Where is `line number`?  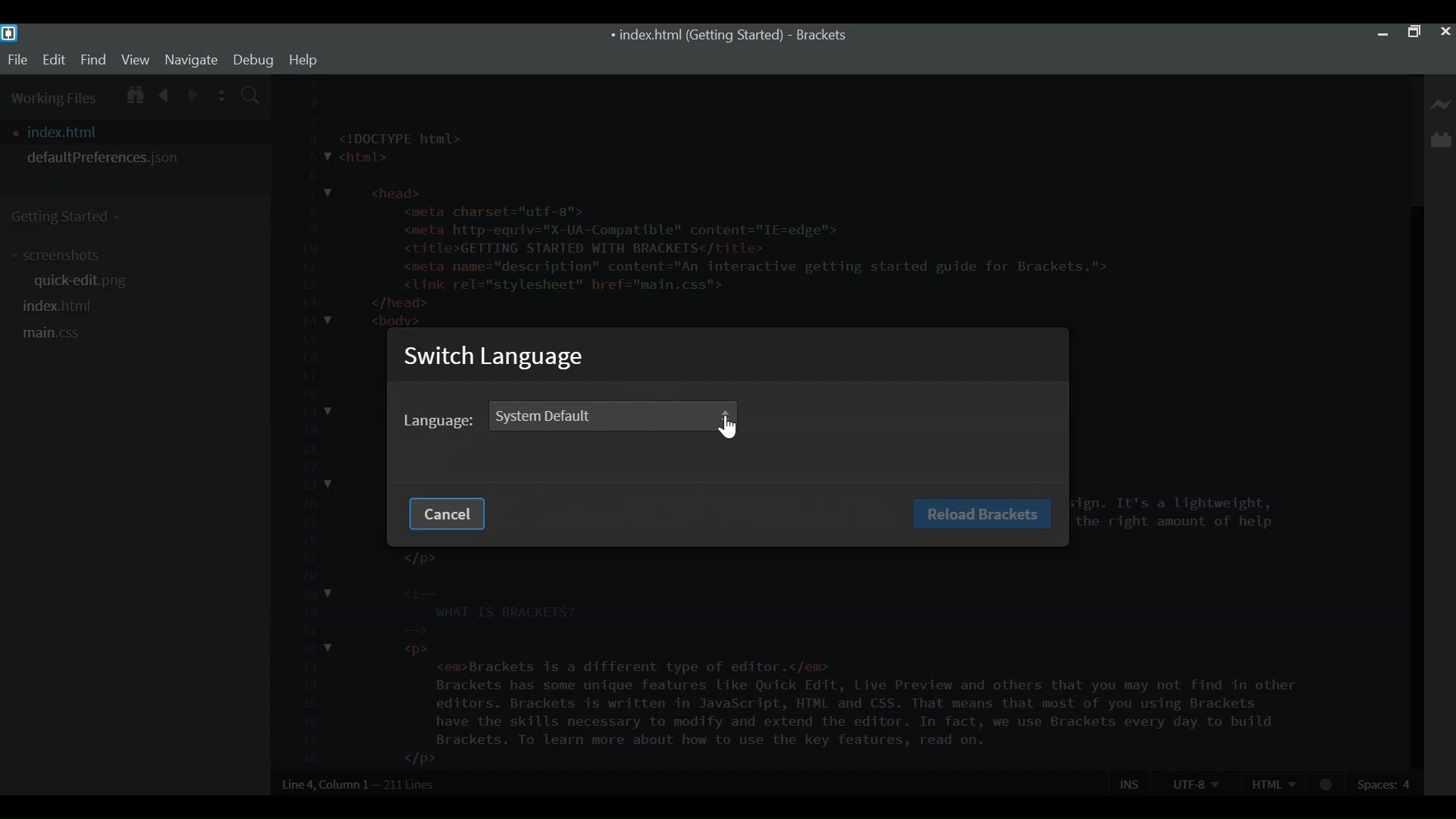
line number is located at coordinates (306, 422).